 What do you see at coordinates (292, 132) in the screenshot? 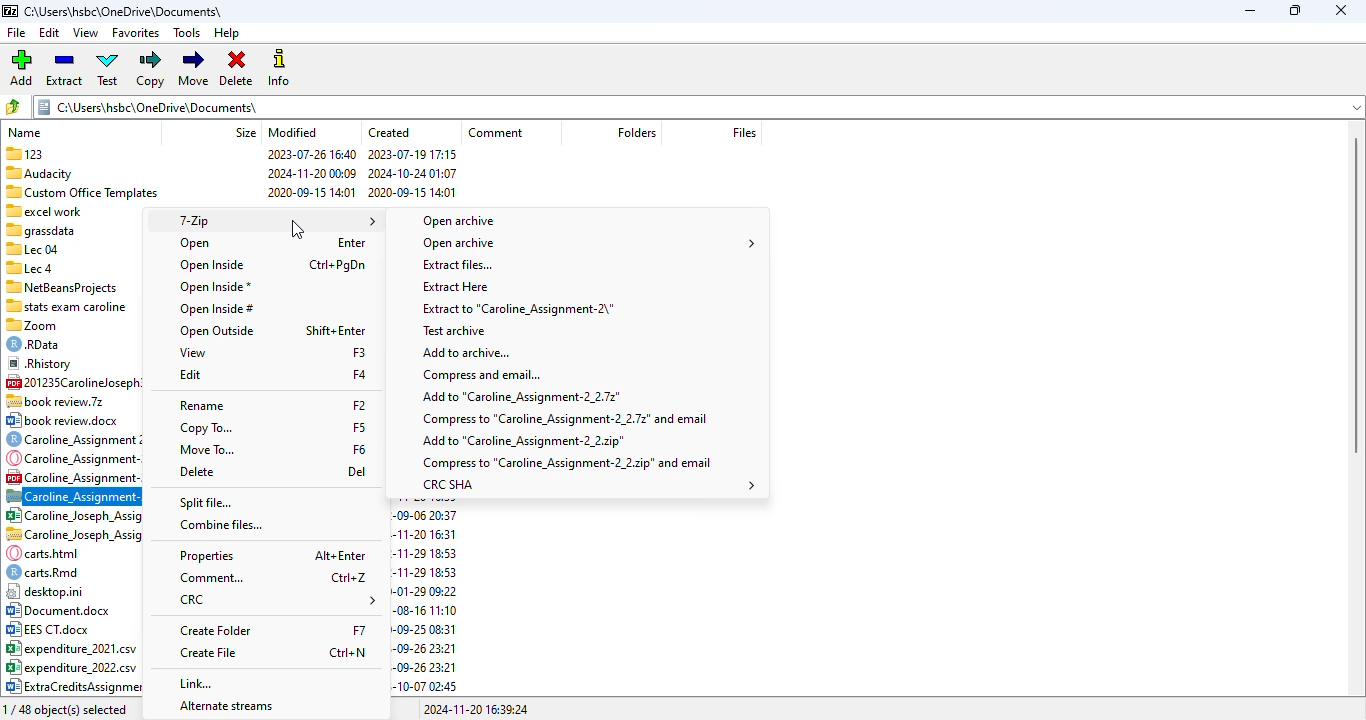
I see `modified` at bounding box center [292, 132].